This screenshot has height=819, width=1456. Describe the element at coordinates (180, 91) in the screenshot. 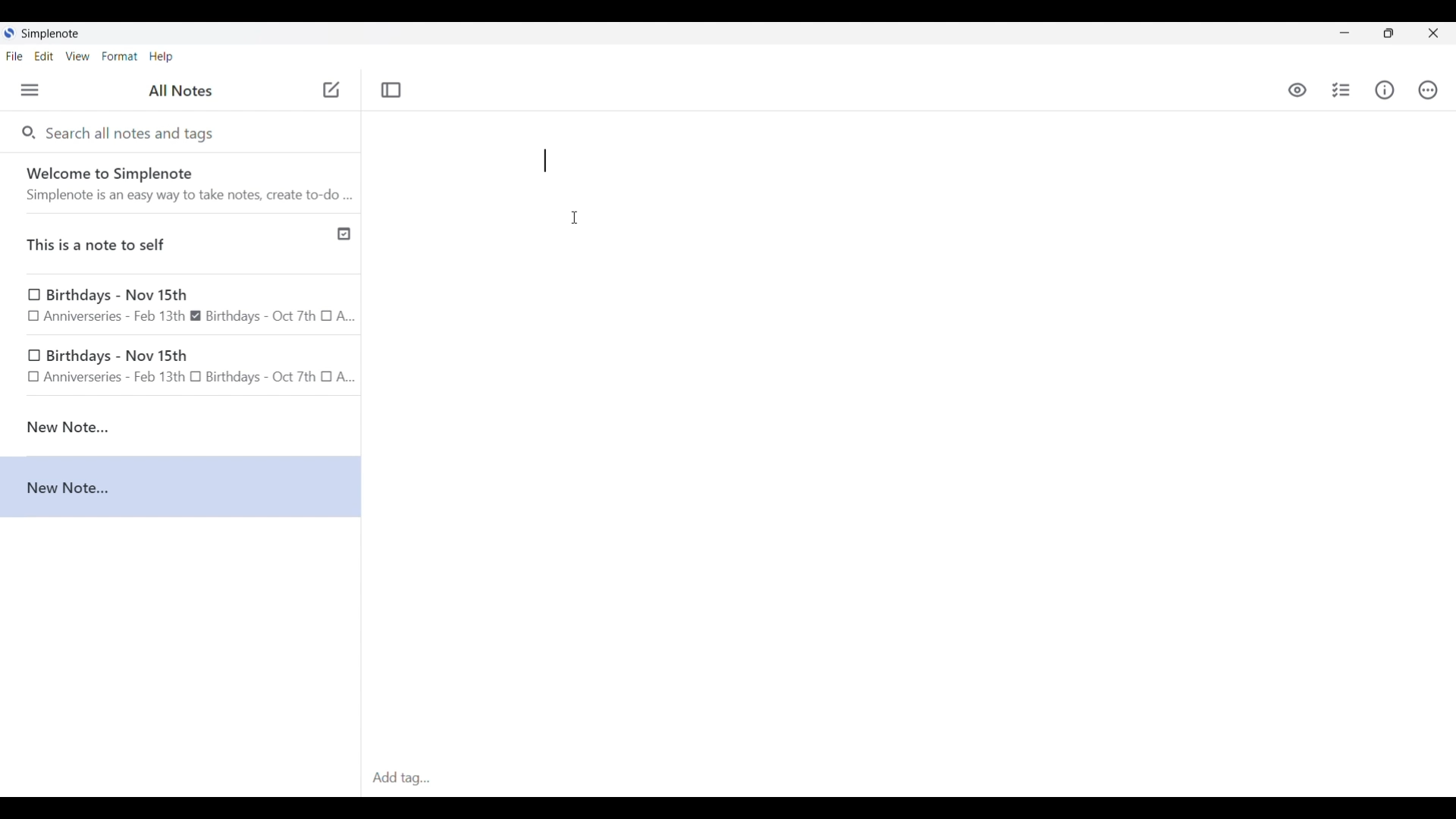

I see `Title of left side panel` at that location.